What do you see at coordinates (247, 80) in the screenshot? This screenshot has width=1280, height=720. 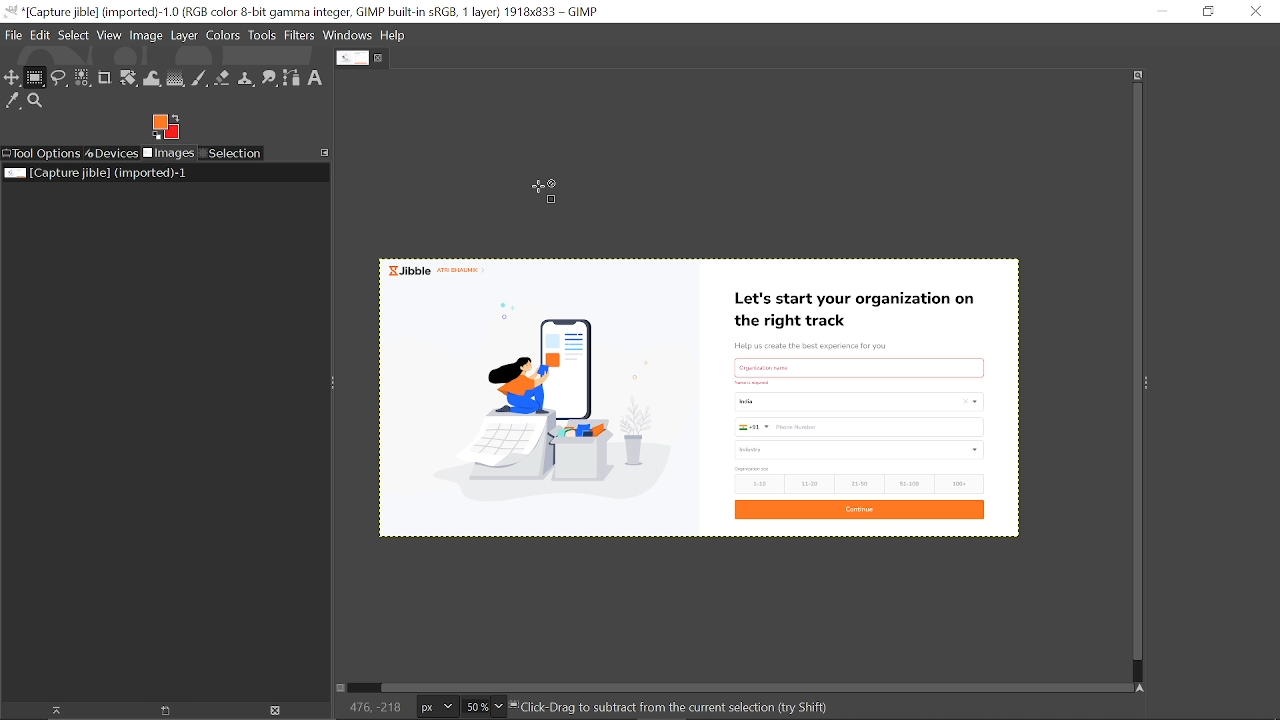 I see `Clone tool` at bounding box center [247, 80].